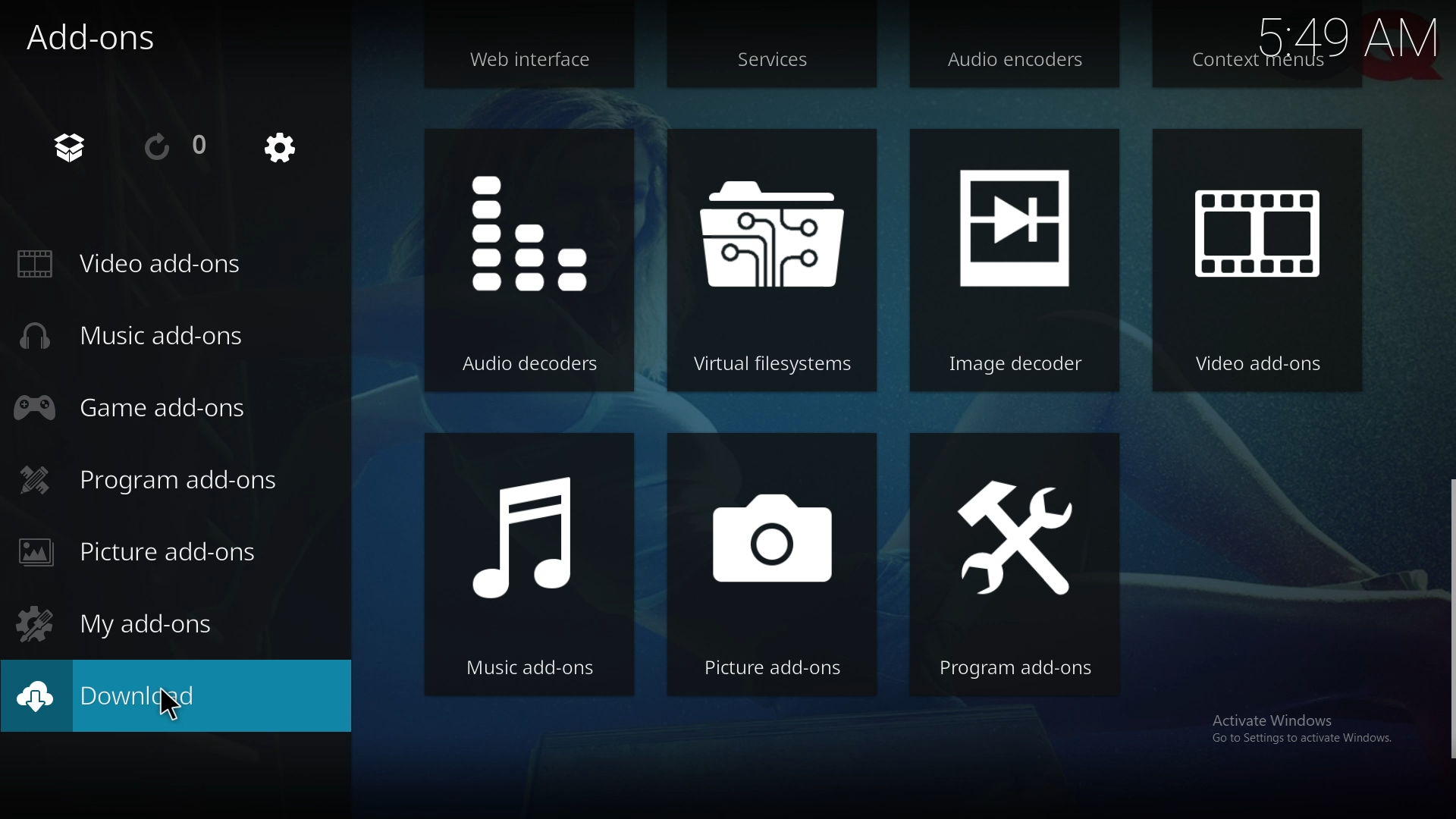 This screenshot has height=819, width=1456. Describe the element at coordinates (1013, 45) in the screenshot. I see `audio encoders` at that location.